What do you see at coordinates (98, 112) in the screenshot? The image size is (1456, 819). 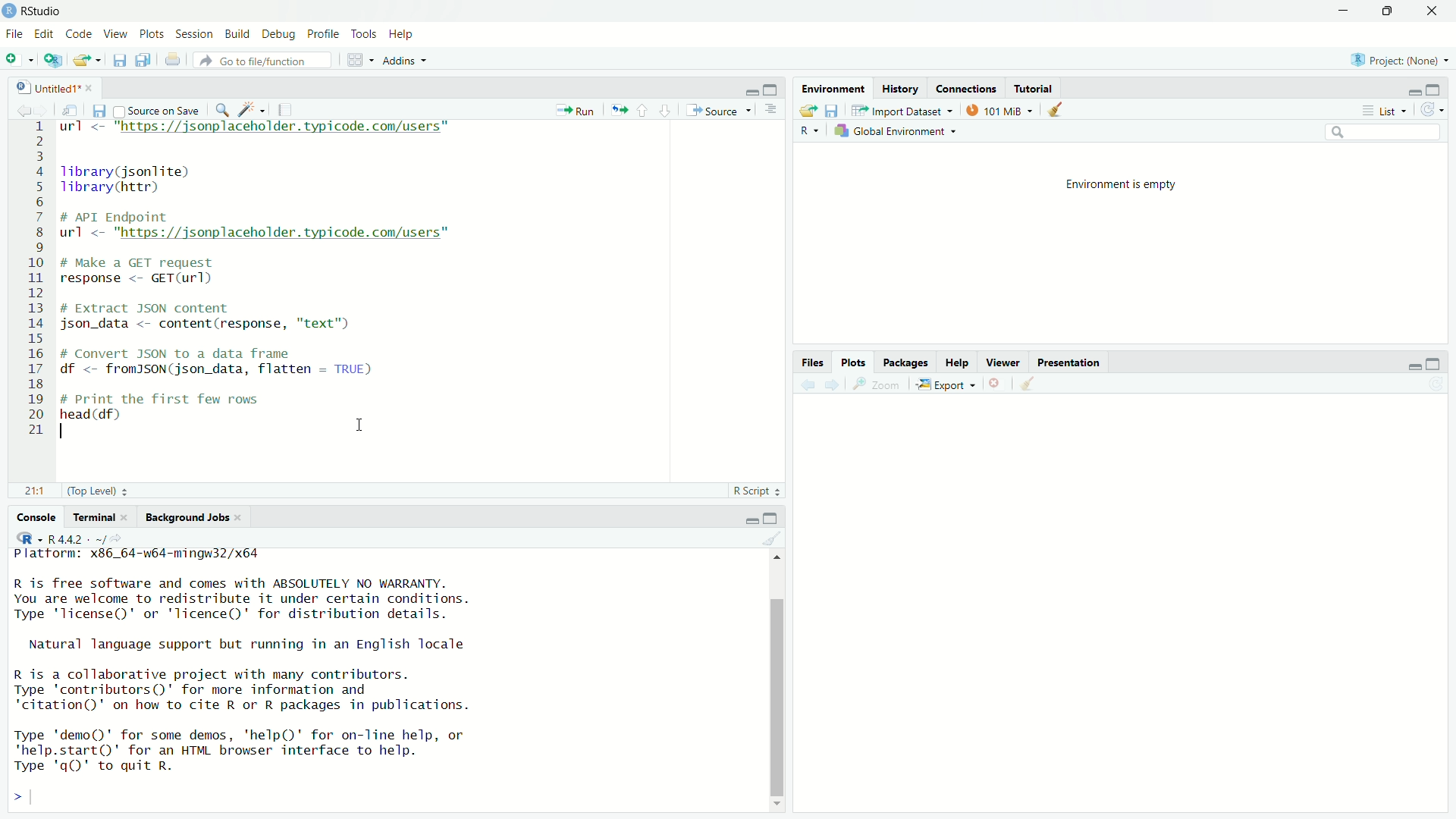 I see `Save` at bounding box center [98, 112].